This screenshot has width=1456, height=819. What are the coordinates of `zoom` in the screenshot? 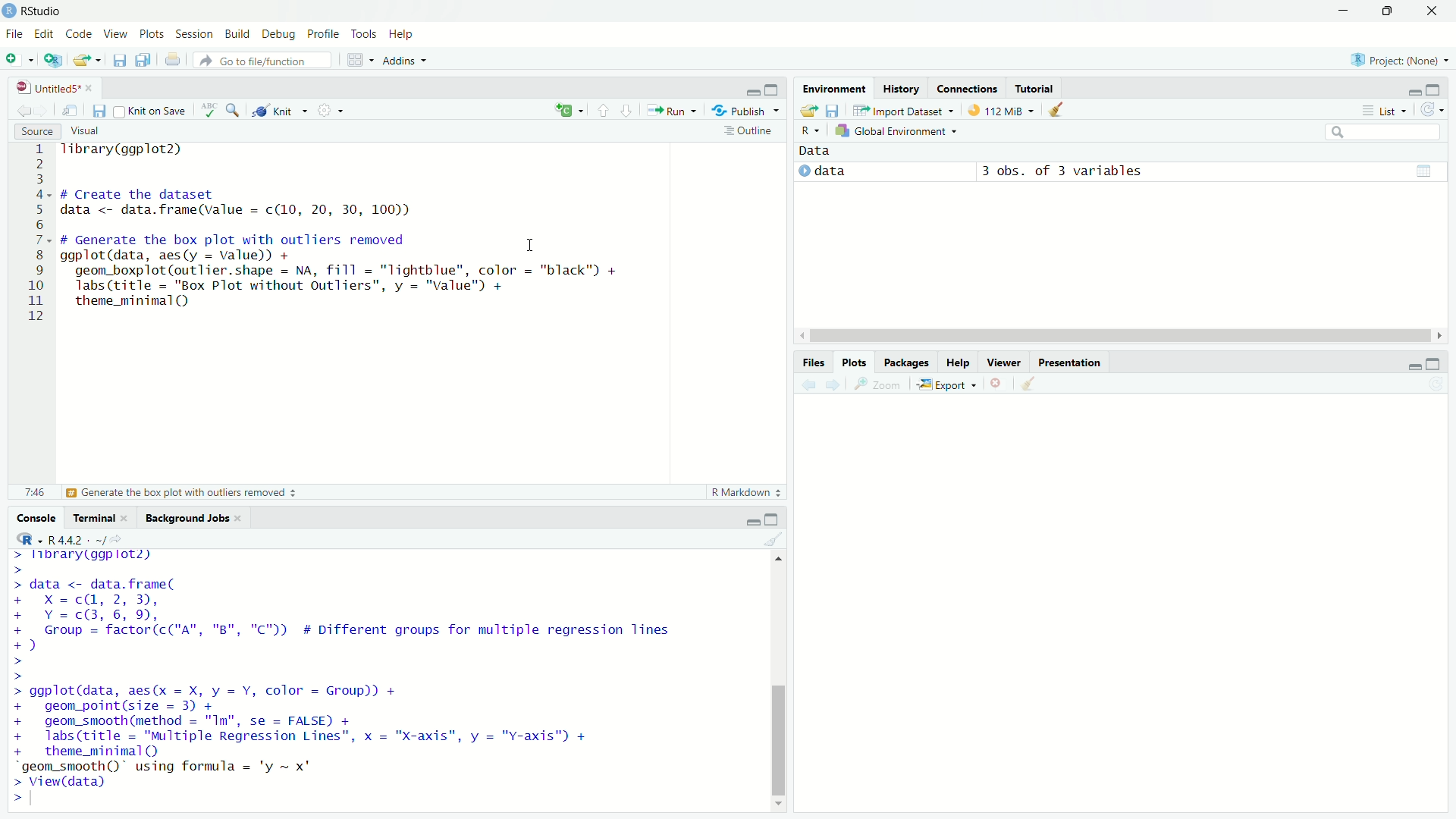 It's located at (234, 108).